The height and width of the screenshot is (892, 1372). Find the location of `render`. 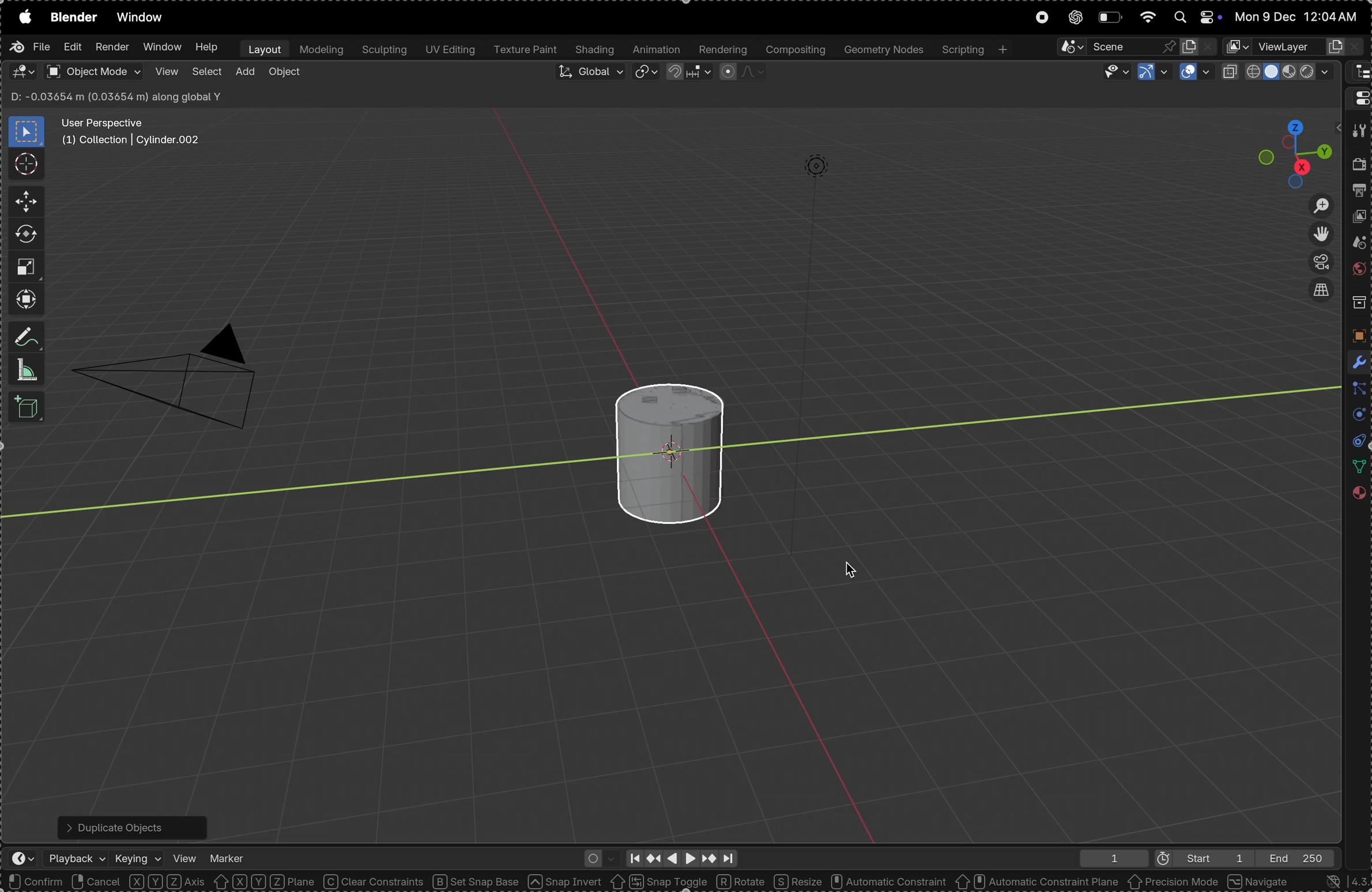

render is located at coordinates (1359, 167).